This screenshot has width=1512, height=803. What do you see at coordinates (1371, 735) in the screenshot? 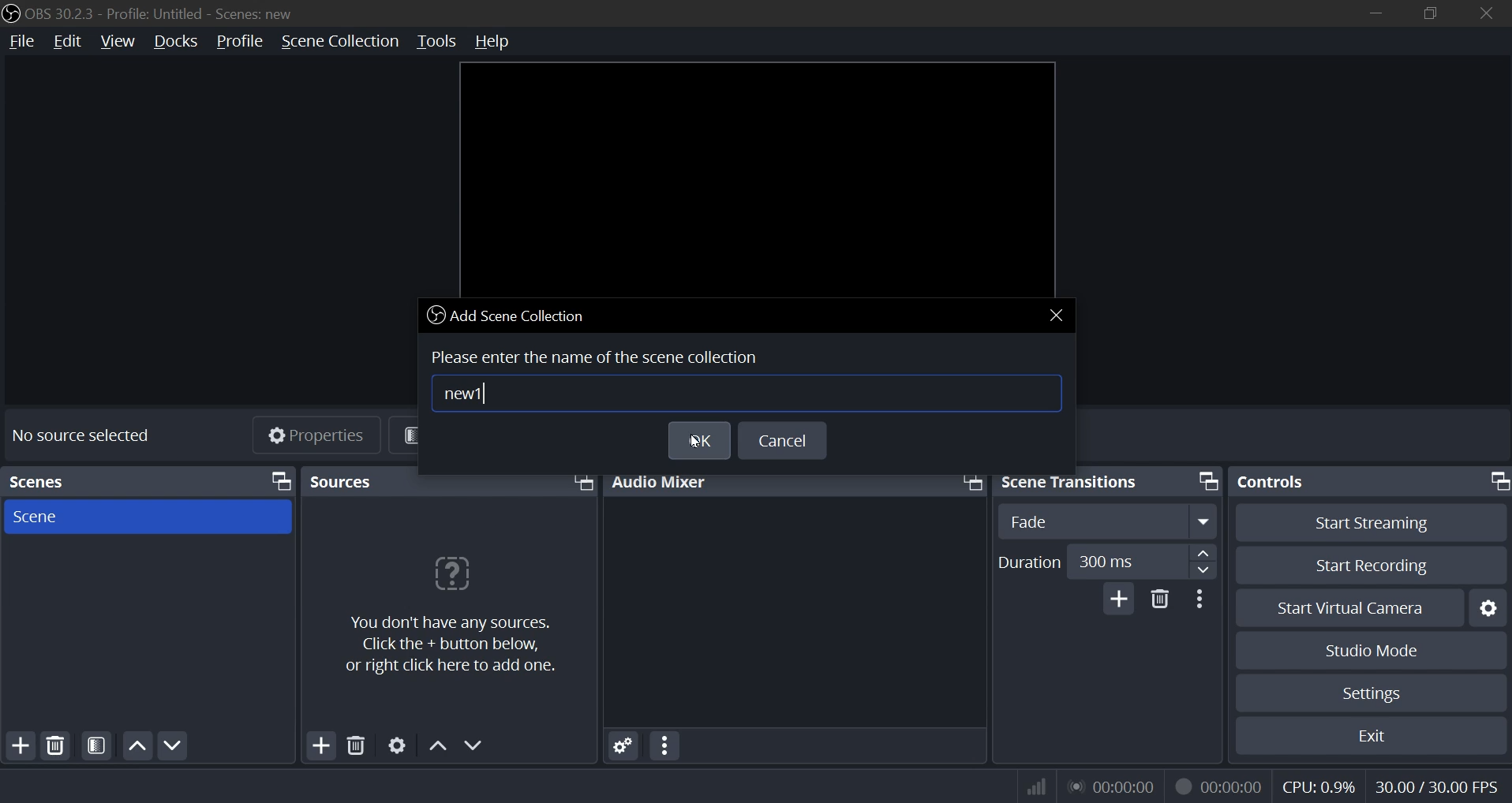
I see `exit` at bounding box center [1371, 735].